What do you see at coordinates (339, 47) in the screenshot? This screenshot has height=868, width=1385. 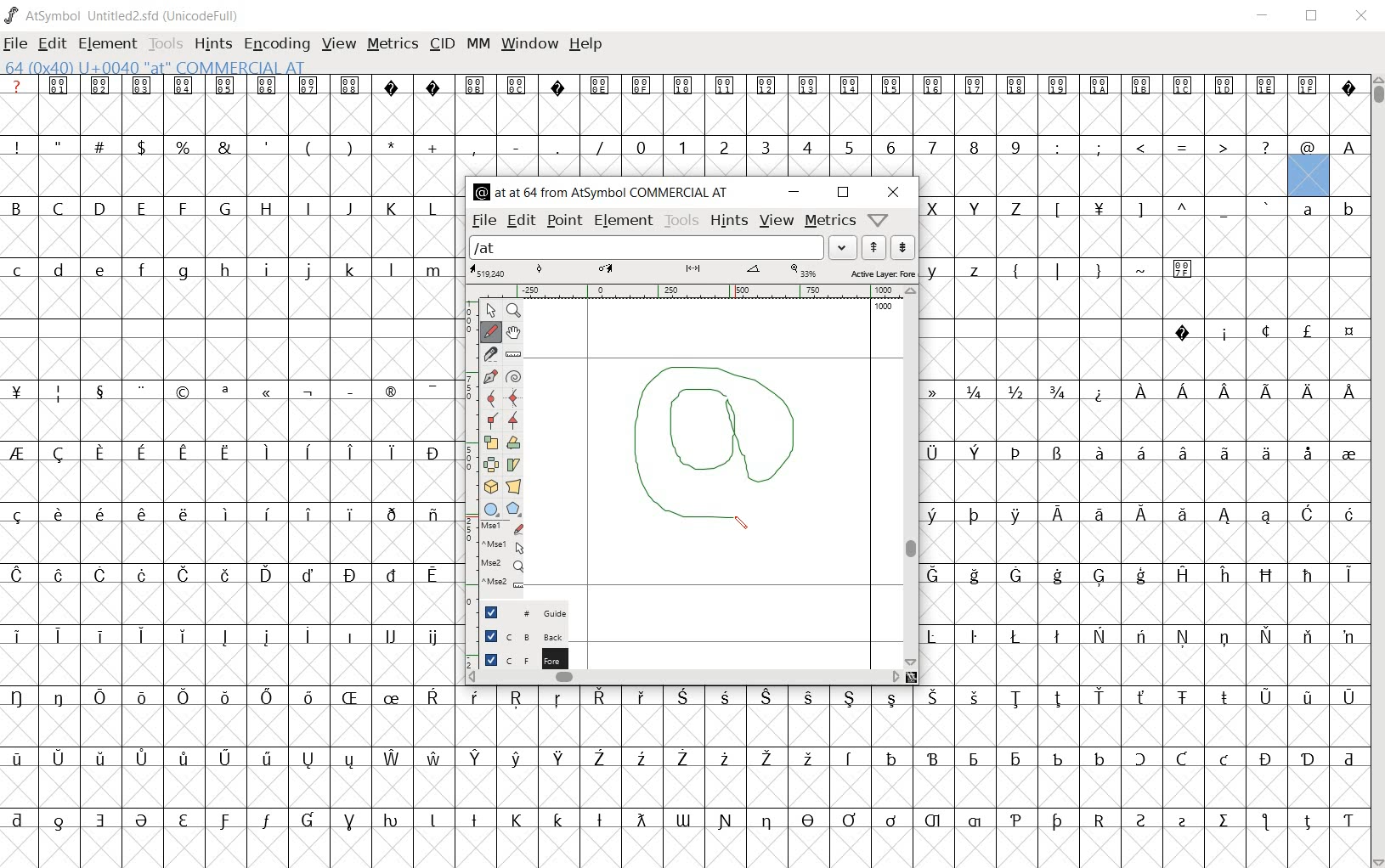 I see `VIEW` at bounding box center [339, 47].